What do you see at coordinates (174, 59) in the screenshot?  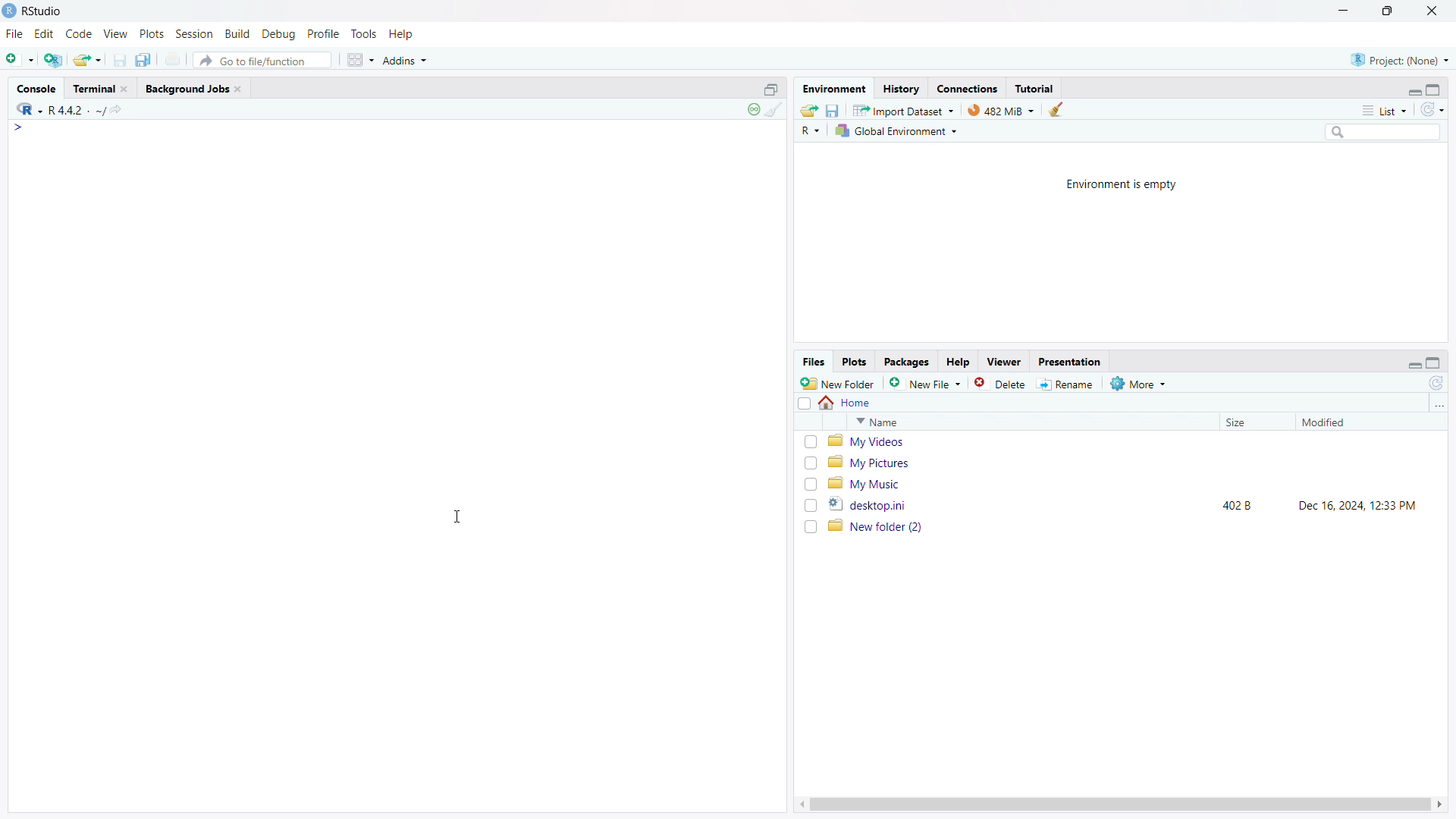 I see `print` at bounding box center [174, 59].